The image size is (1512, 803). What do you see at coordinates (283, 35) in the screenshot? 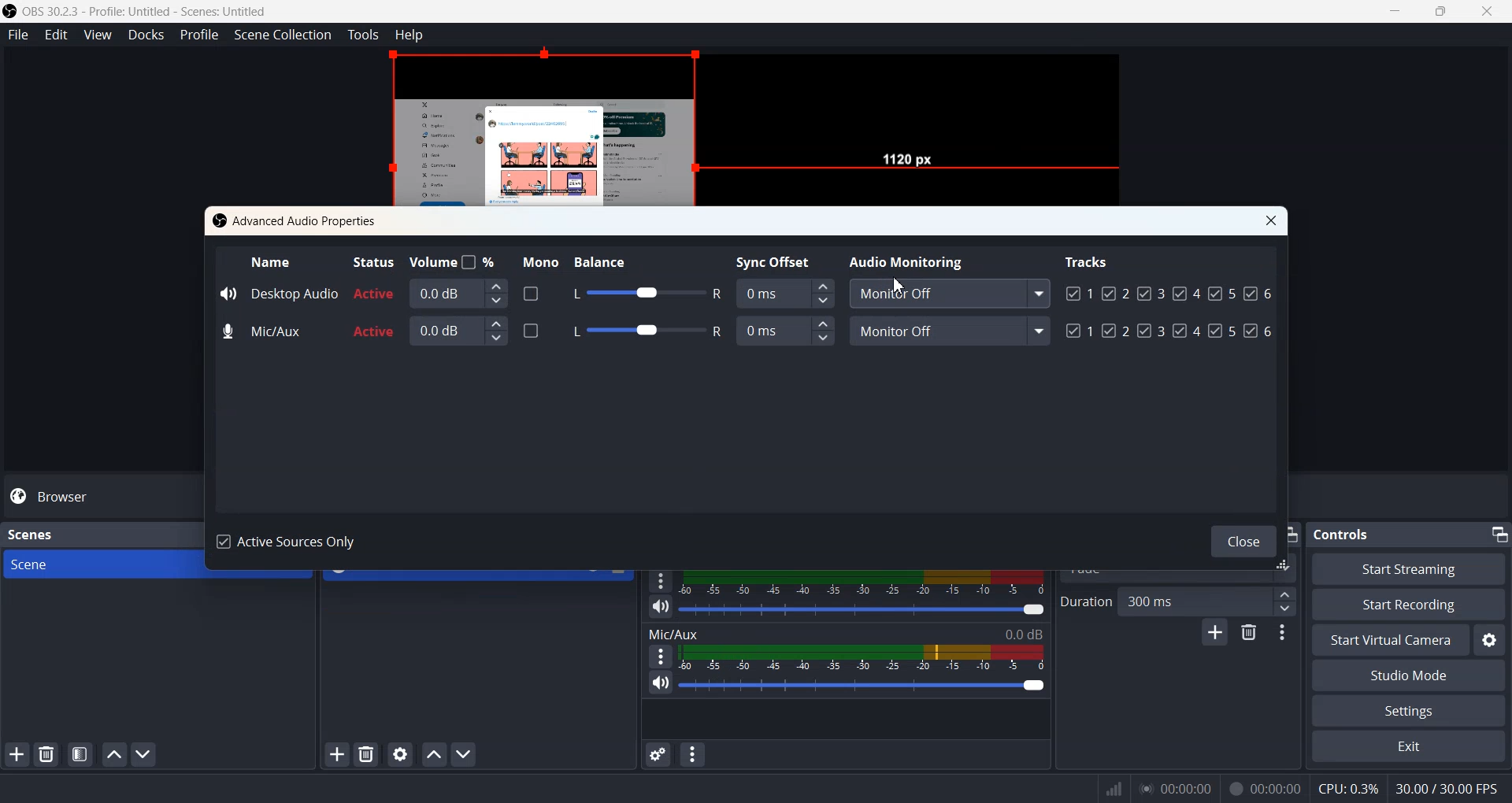
I see `Scene Collection` at bounding box center [283, 35].